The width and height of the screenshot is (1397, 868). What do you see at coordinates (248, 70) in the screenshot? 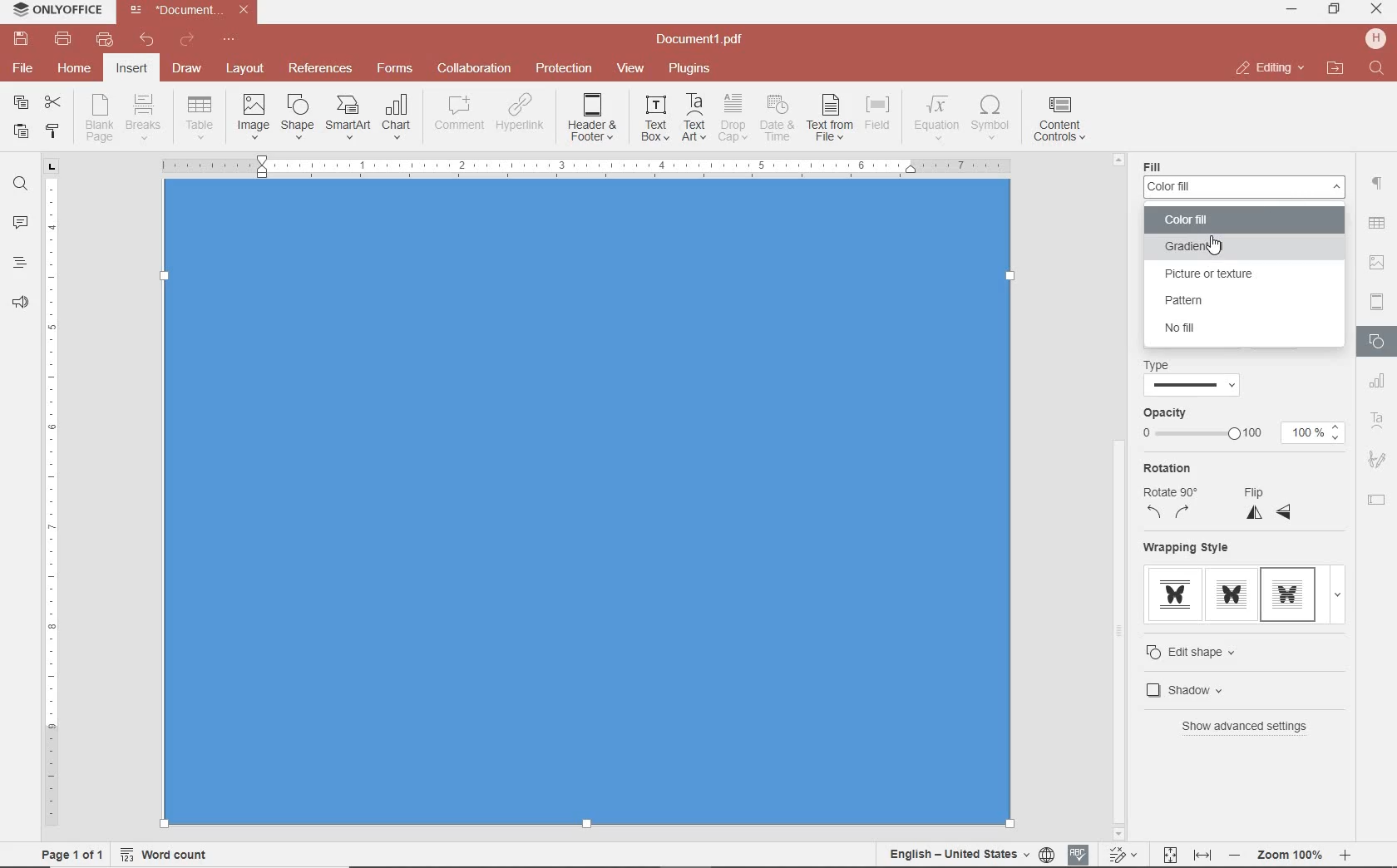
I see `layout` at bounding box center [248, 70].